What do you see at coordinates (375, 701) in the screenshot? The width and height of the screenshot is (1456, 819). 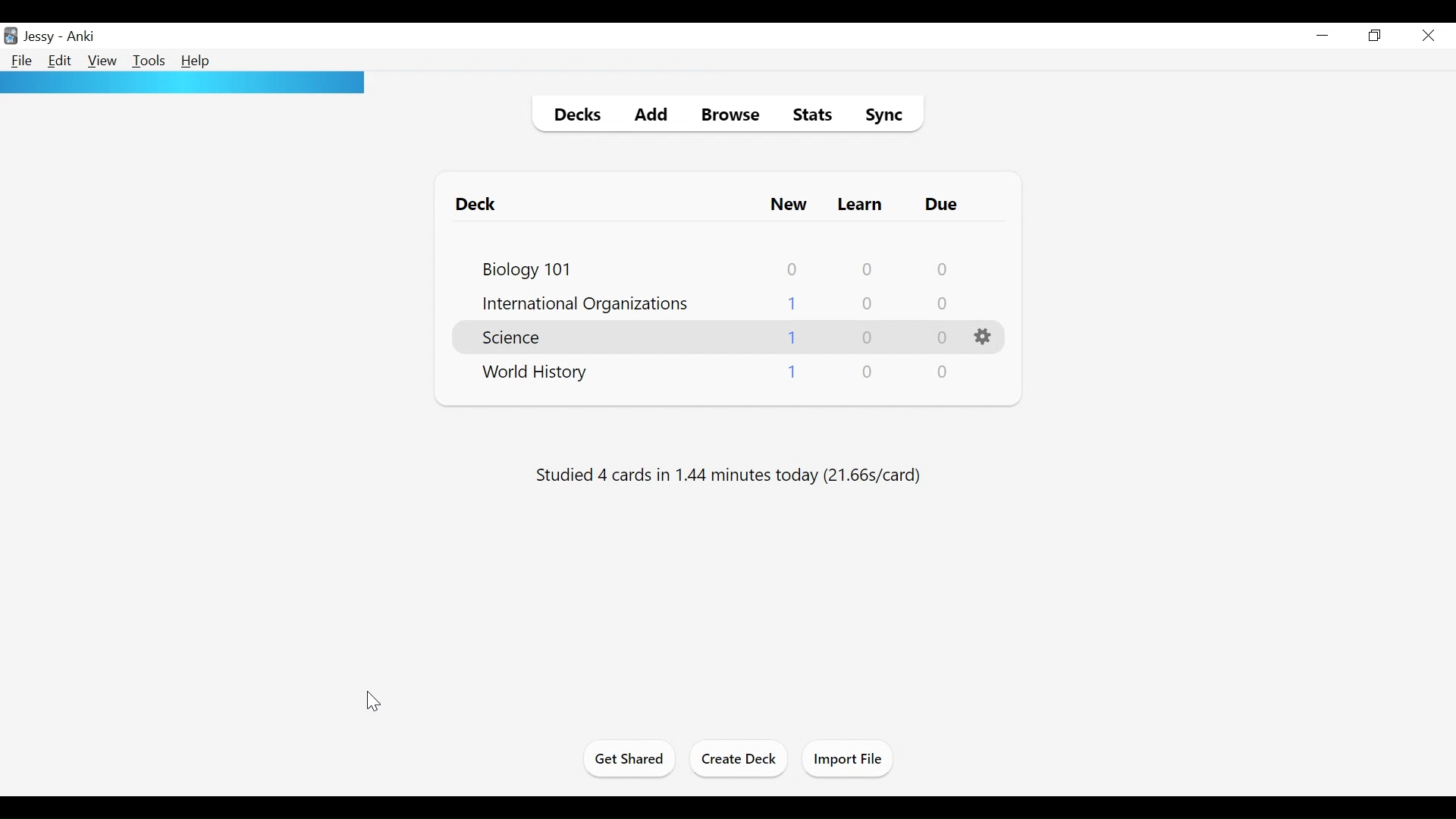 I see `cursor` at bounding box center [375, 701].